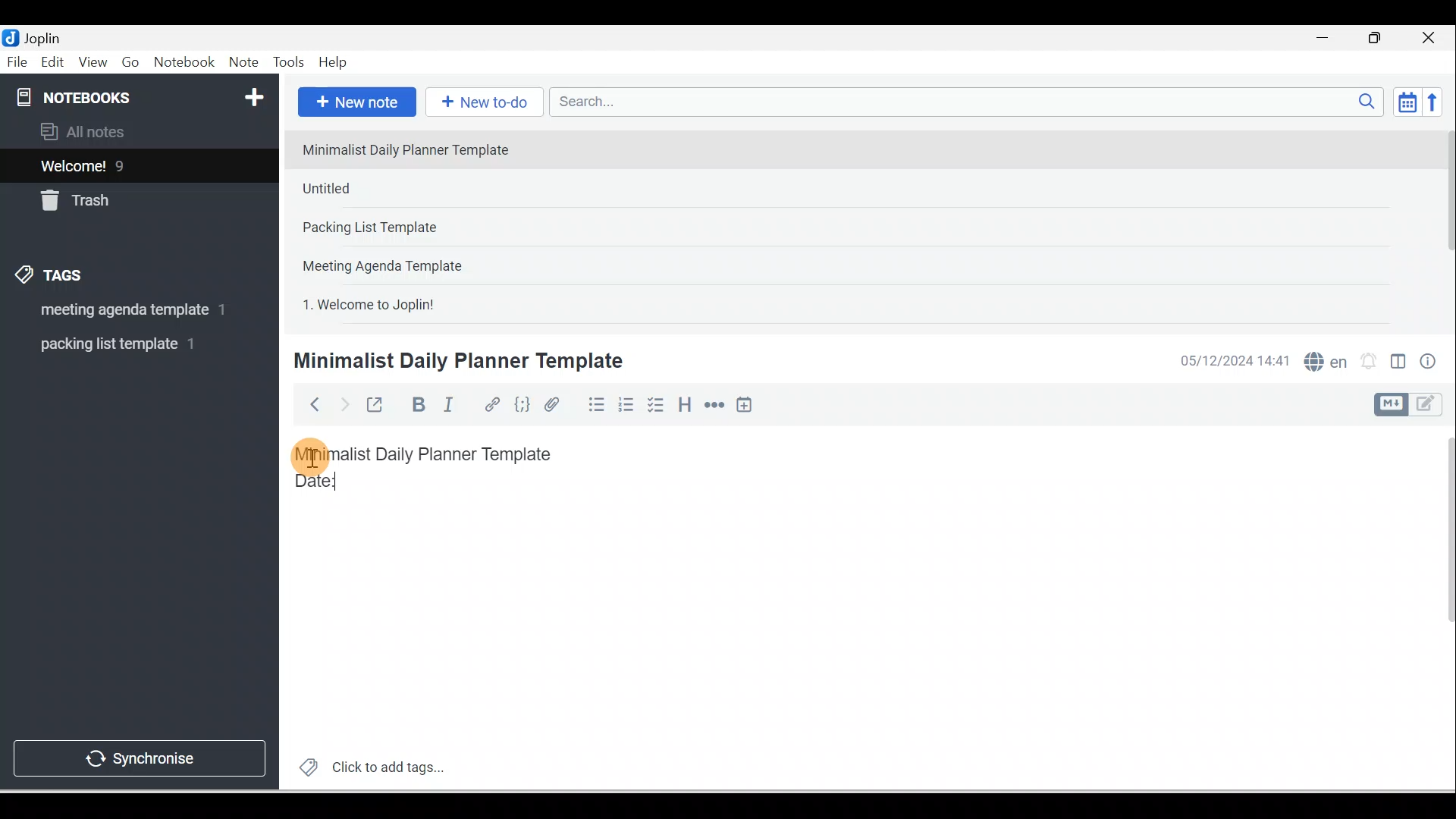 Image resolution: width=1456 pixels, height=819 pixels. Describe the element at coordinates (119, 311) in the screenshot. I see `Tag 1` at that location.